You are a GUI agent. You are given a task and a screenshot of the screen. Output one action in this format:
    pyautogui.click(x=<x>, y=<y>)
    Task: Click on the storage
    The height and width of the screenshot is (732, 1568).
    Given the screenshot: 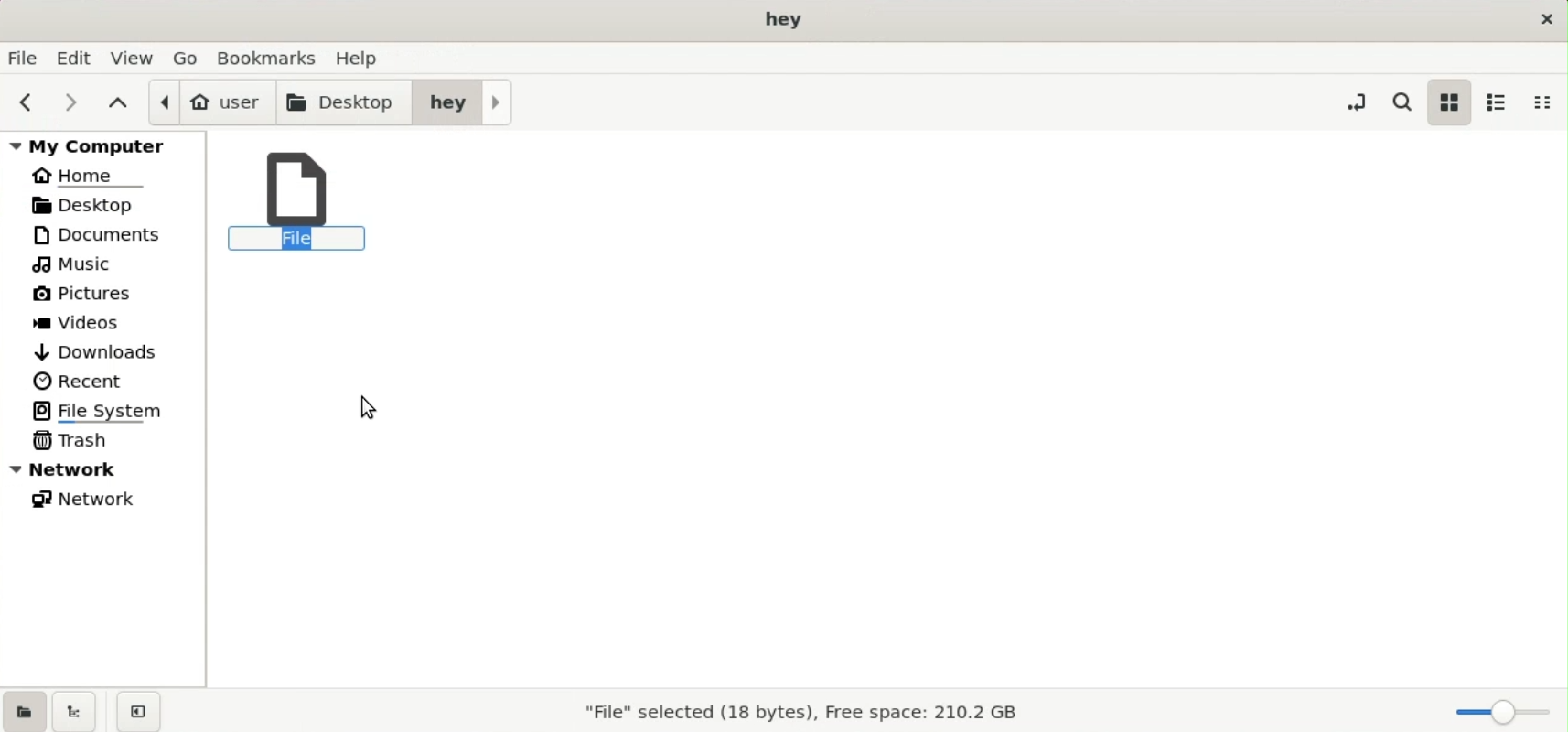 What is the action you would take?
    pyautogui.click(x=798, y=715)
    